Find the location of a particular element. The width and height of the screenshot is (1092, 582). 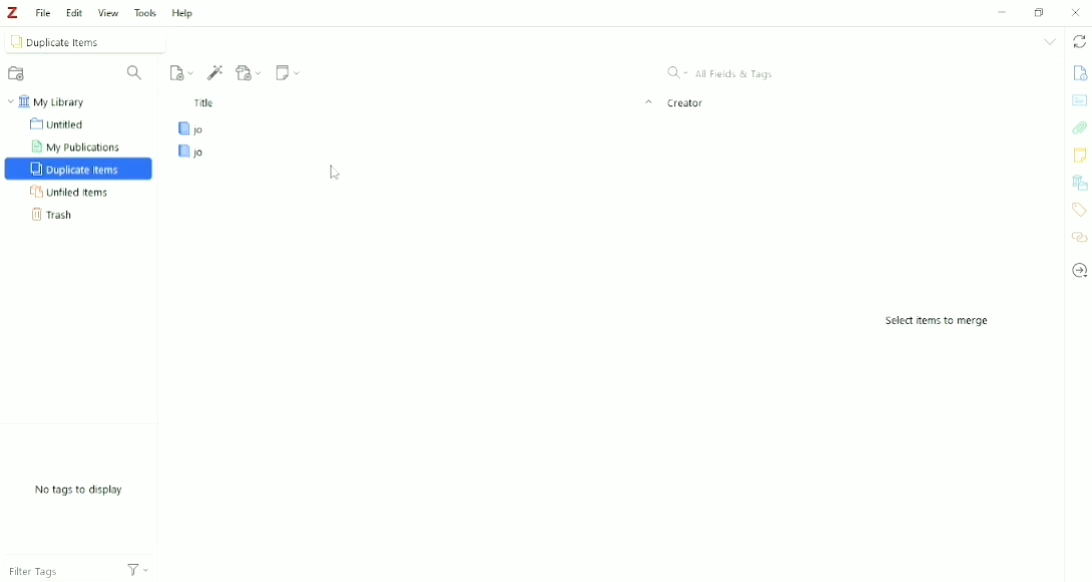

Unfiled Items is located at coordinates (77, 192).